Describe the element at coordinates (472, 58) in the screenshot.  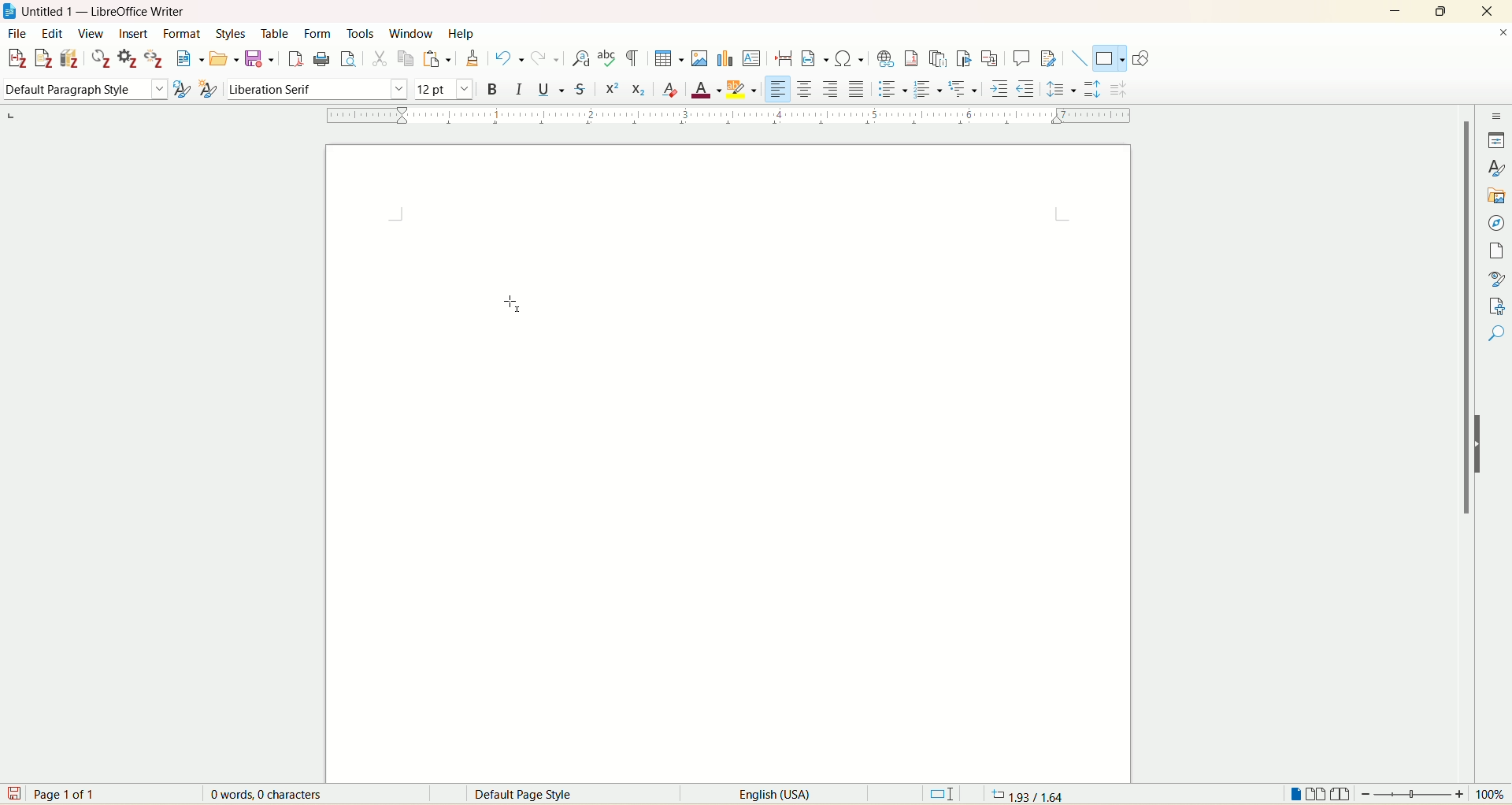
I see `clone formatting` at that location.